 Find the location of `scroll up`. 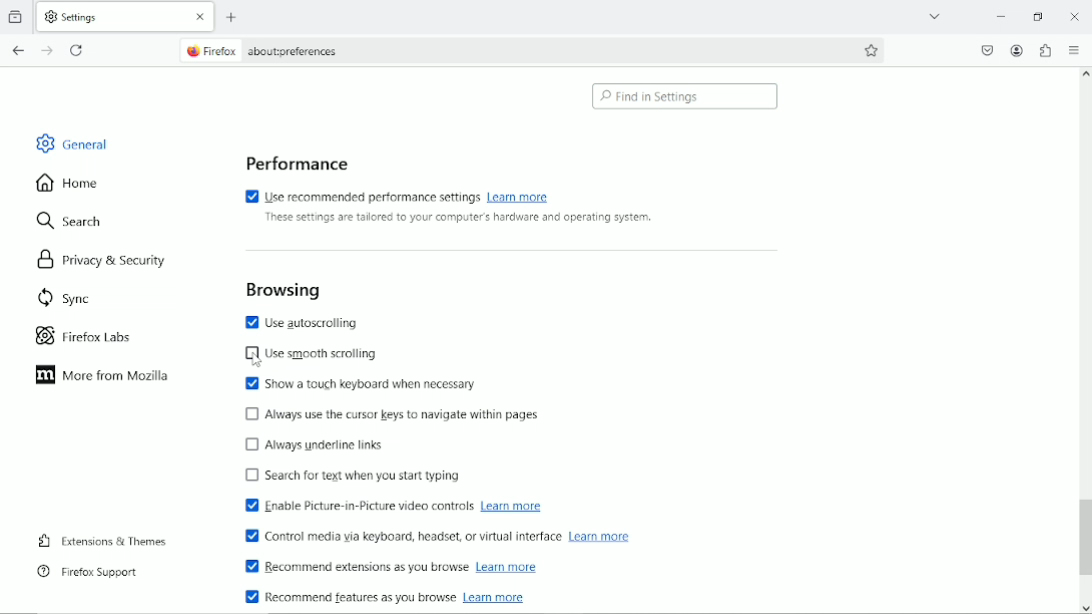

scroll up is located at coordinates (1084, 75).